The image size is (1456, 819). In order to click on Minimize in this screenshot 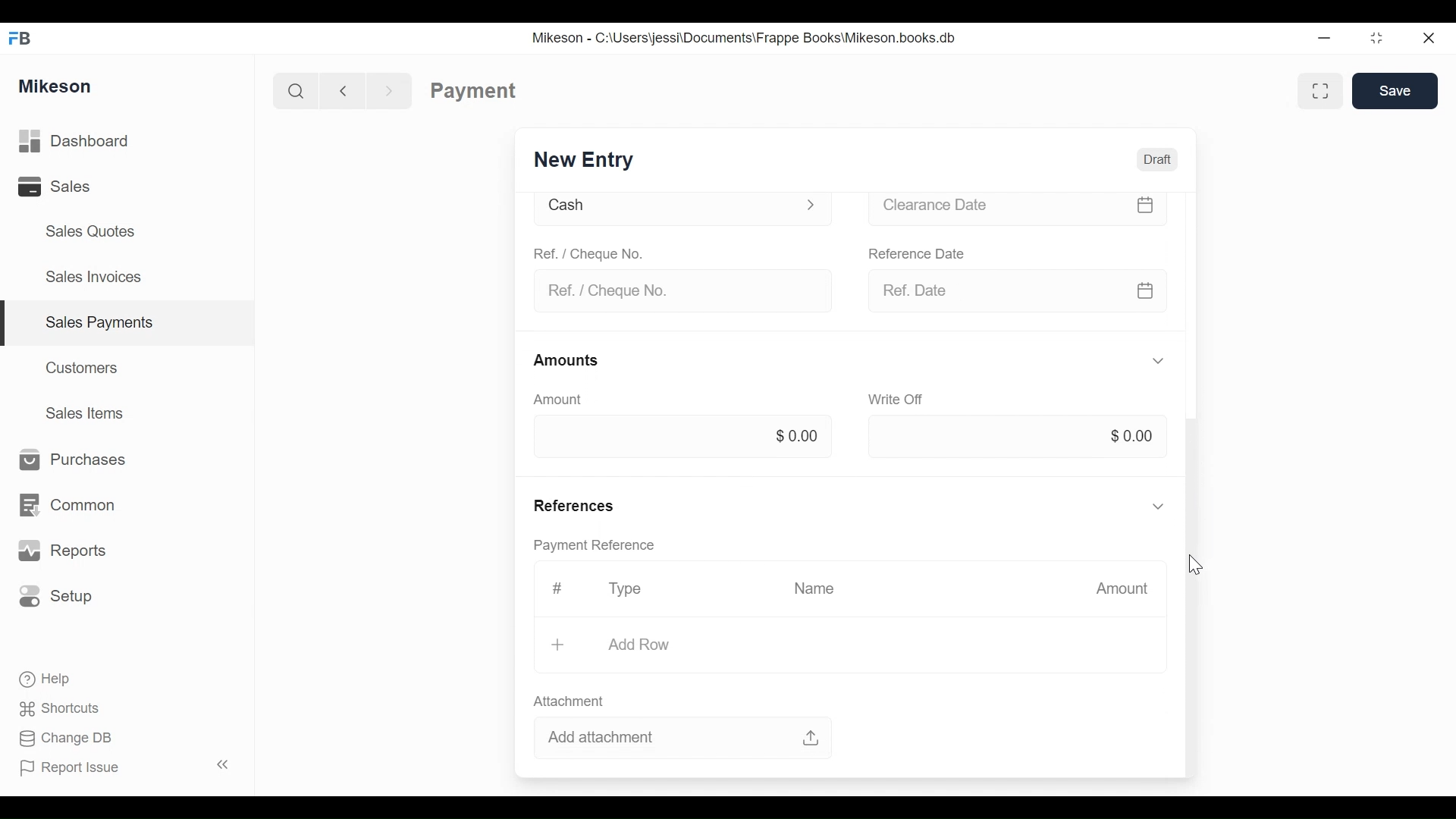, I will do `click(1324, 40)`.